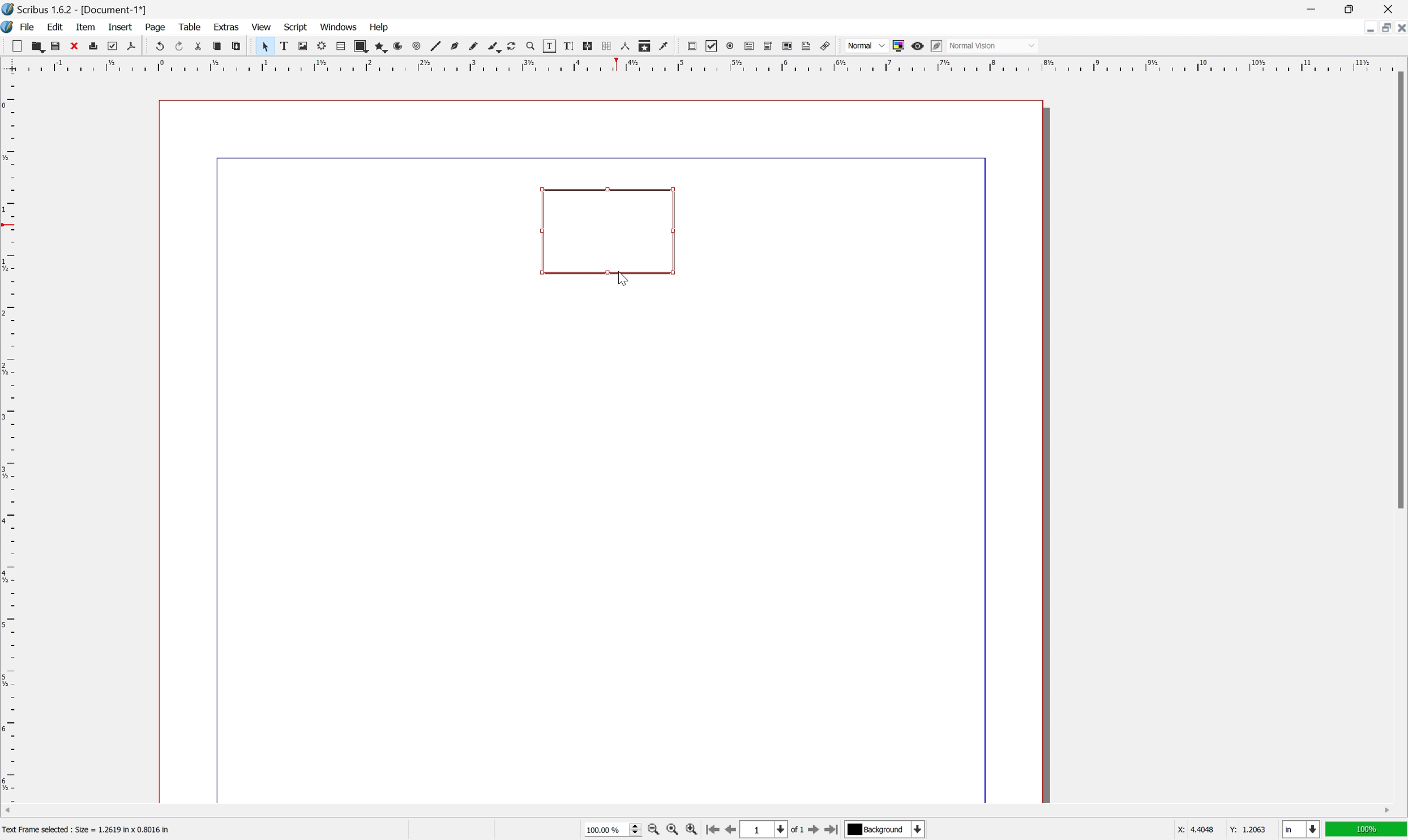 The height and width of the screenshot is (840, 1408). I want to click on bezier curve, so click(453, 46).